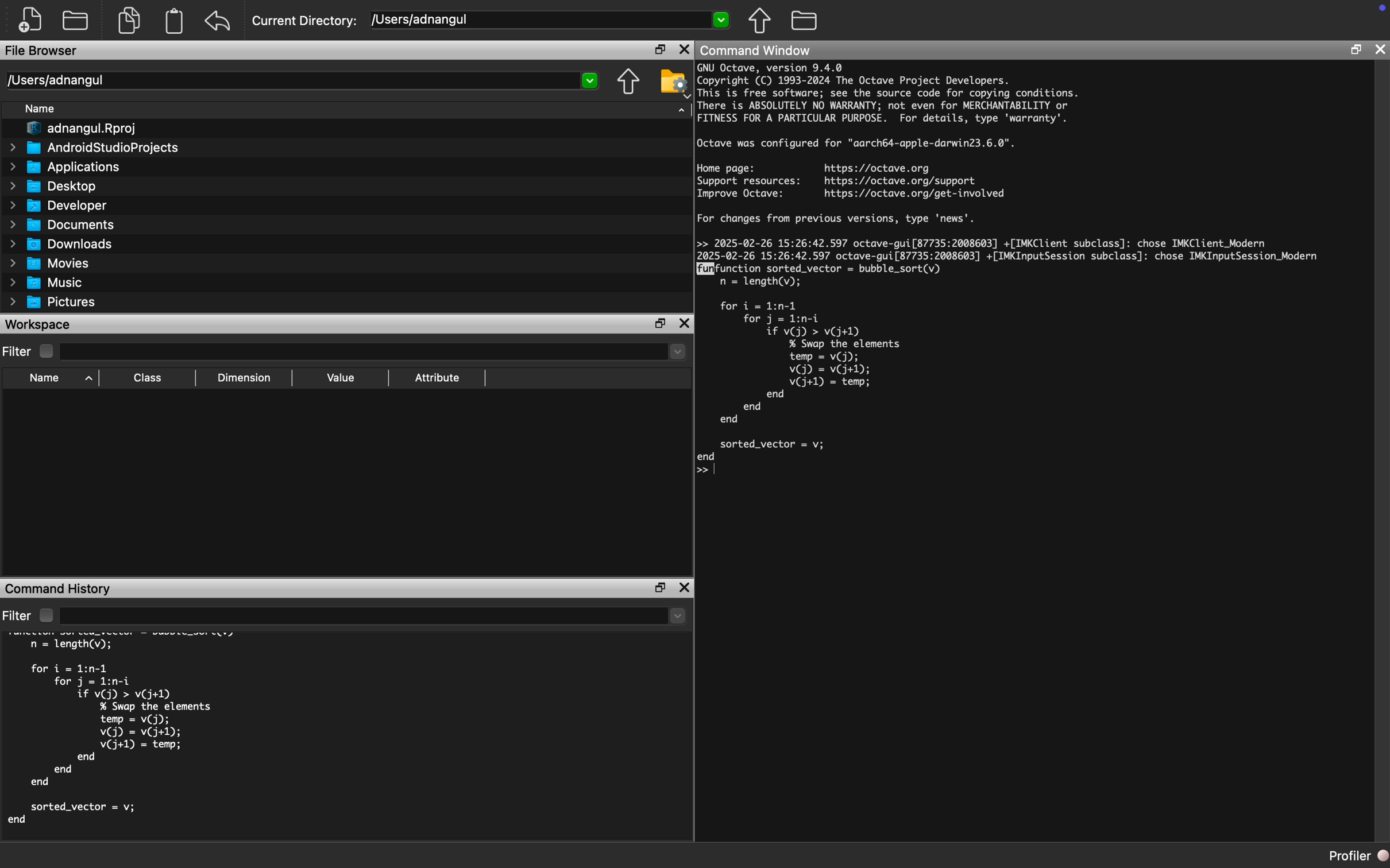 The height and width of the screenshot is (868, 1390). I want to click on /[Users/adnangul , so click(302, 80).